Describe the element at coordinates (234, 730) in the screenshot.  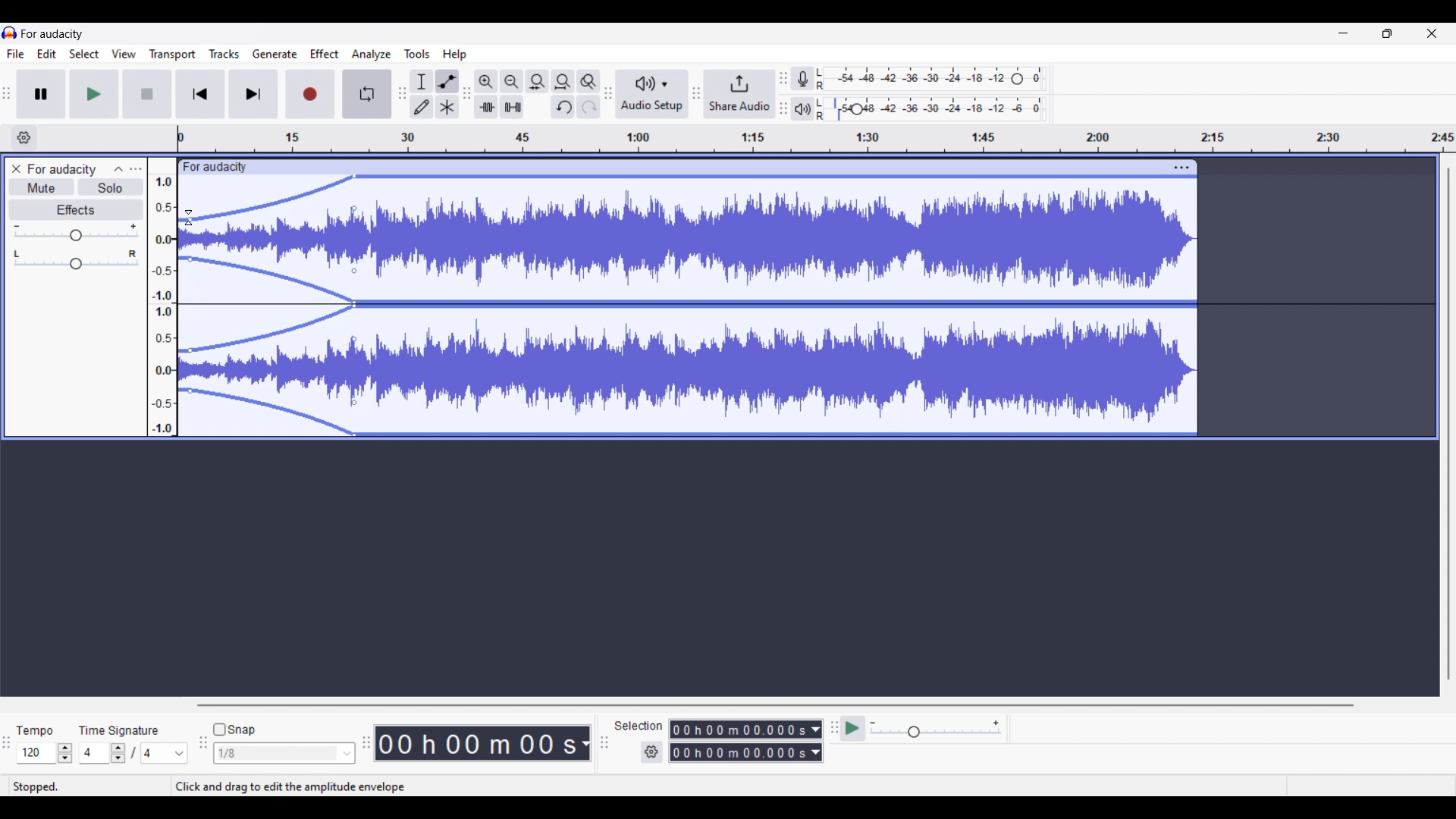
I see `Snap toggle` at that location.